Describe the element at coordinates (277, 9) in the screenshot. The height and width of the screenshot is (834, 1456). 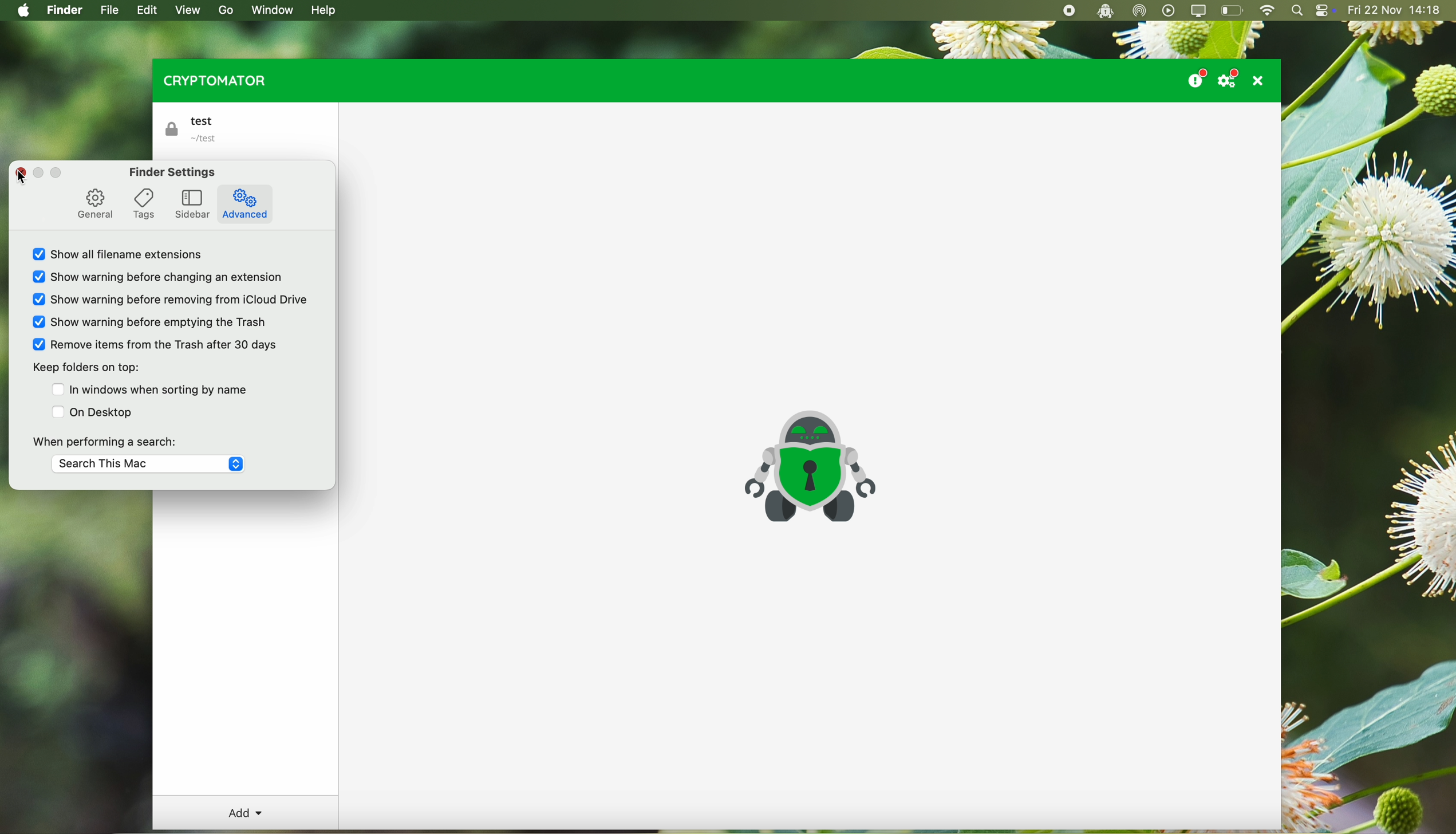
I see `window` at that location.